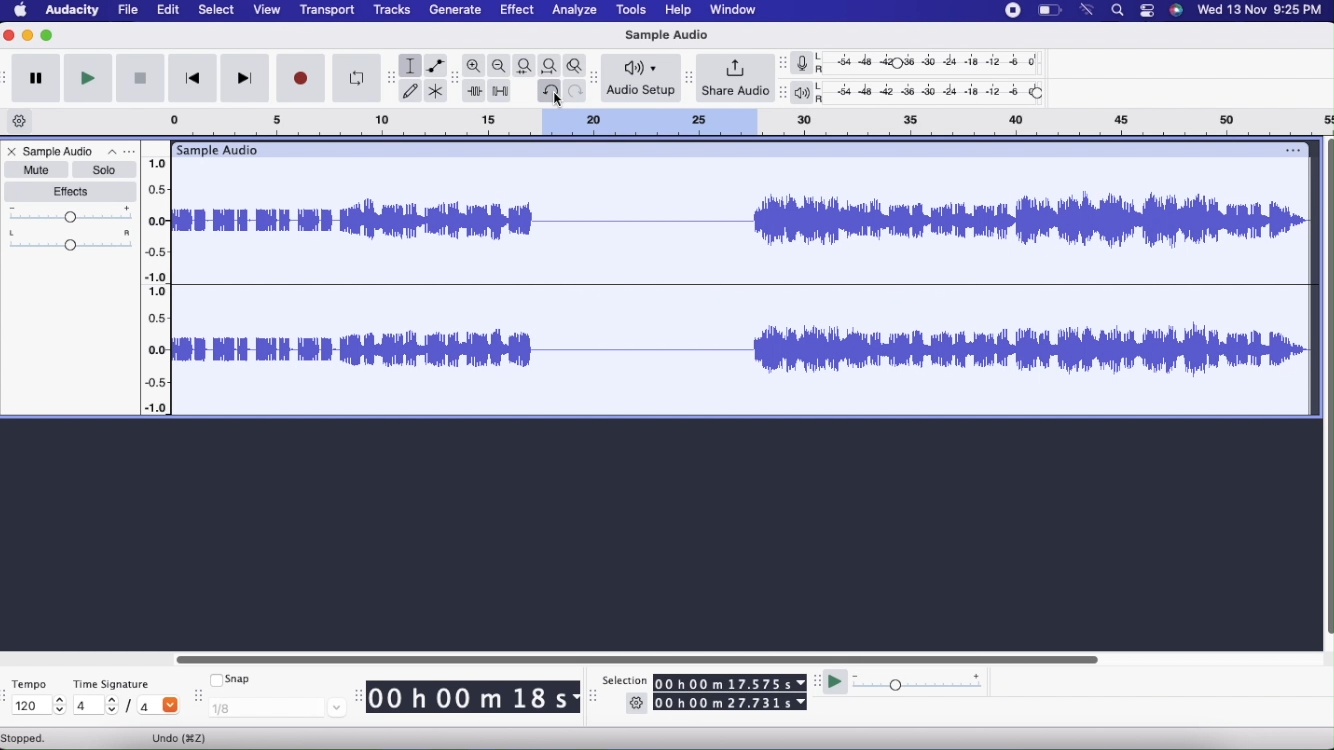  I want to click on Zoom in, so click(473, 65).